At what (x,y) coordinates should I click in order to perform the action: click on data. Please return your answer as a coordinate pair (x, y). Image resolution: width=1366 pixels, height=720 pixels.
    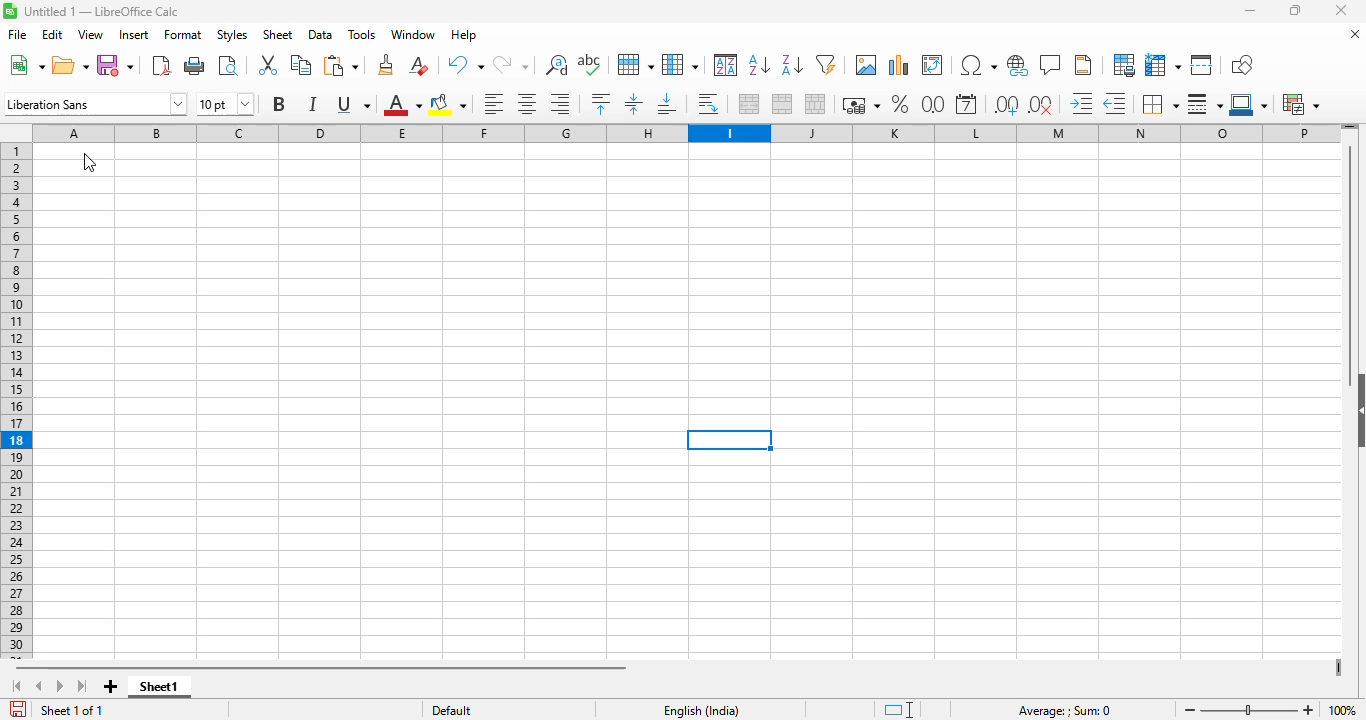
    Looking at the image, I should click on (321, 34).